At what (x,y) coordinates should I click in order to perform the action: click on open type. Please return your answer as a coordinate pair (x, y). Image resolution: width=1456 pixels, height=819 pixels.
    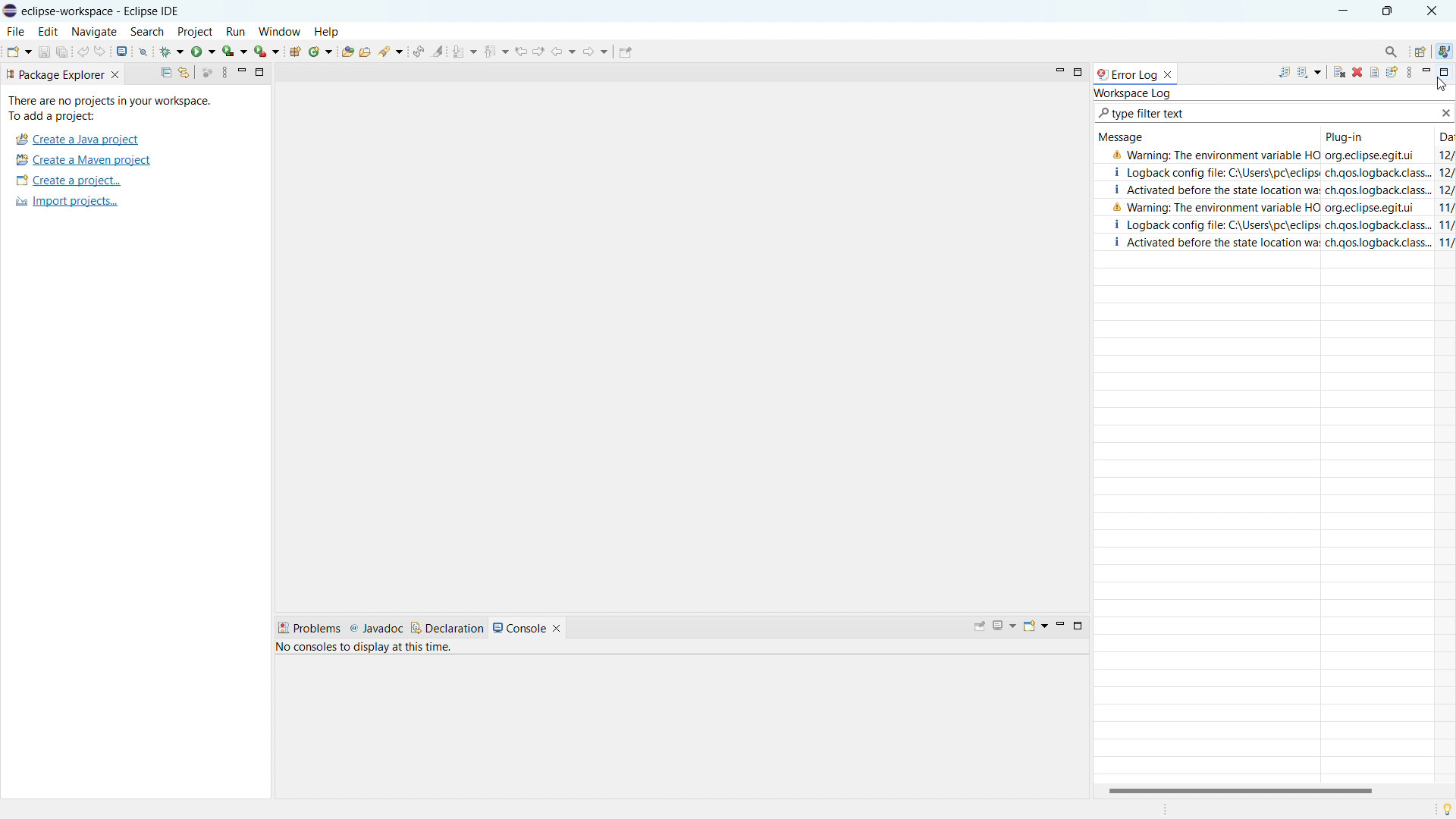
    Looking at the image, I should click on (347, 51).